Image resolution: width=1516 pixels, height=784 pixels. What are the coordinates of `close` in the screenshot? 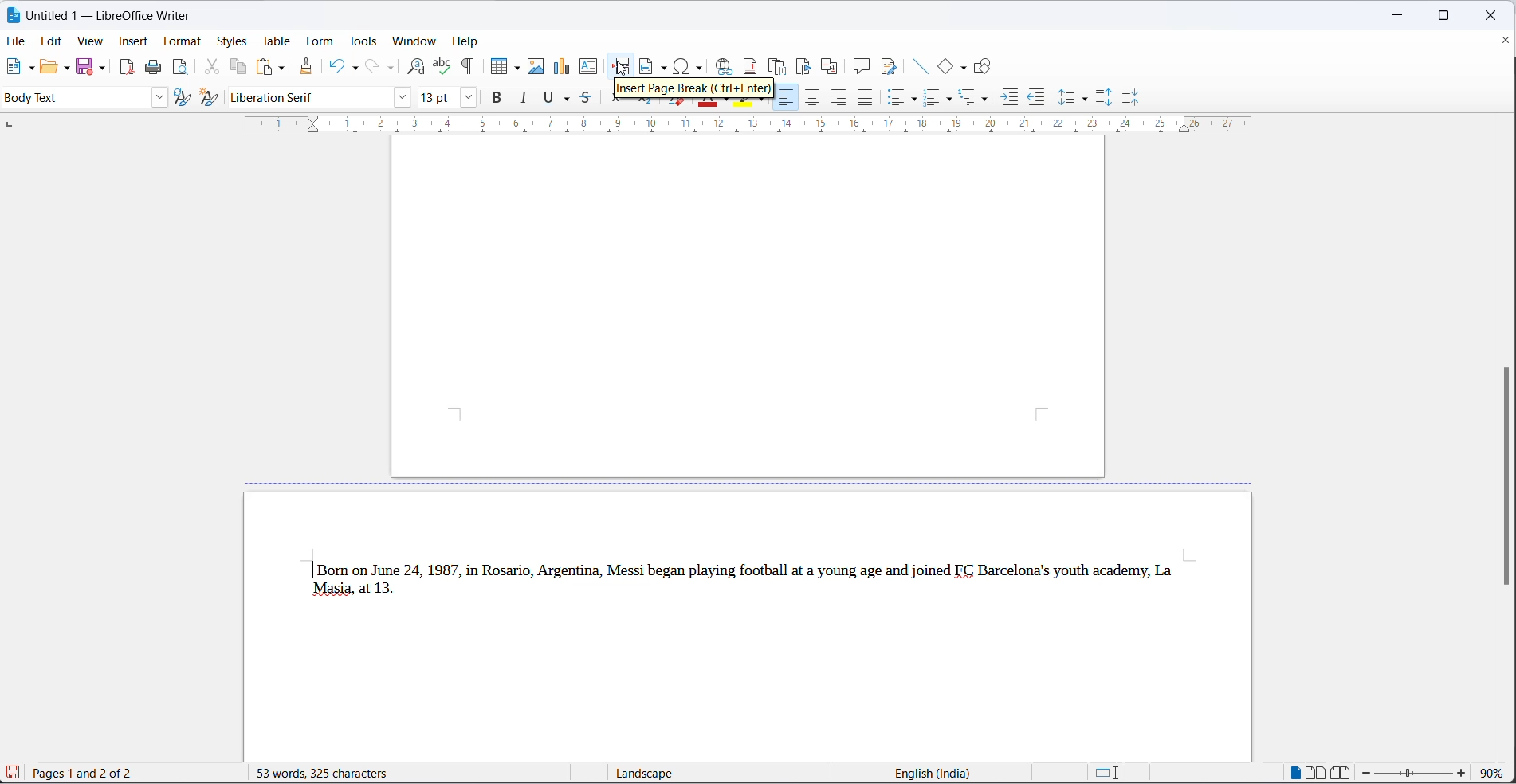 It's located at (1490, 16).